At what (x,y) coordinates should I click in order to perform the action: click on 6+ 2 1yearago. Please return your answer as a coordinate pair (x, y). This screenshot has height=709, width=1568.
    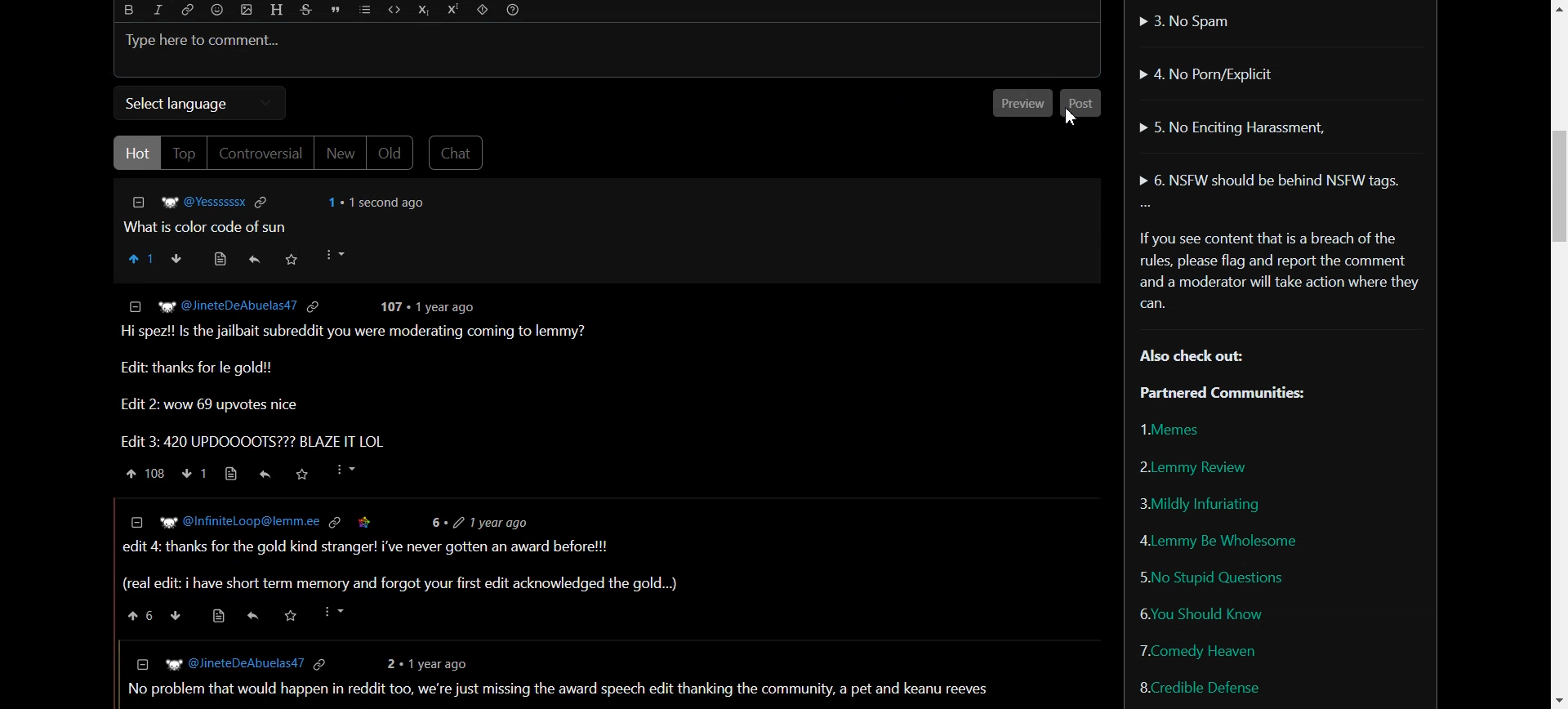
    Looking at the image, I should click on (497, 522).